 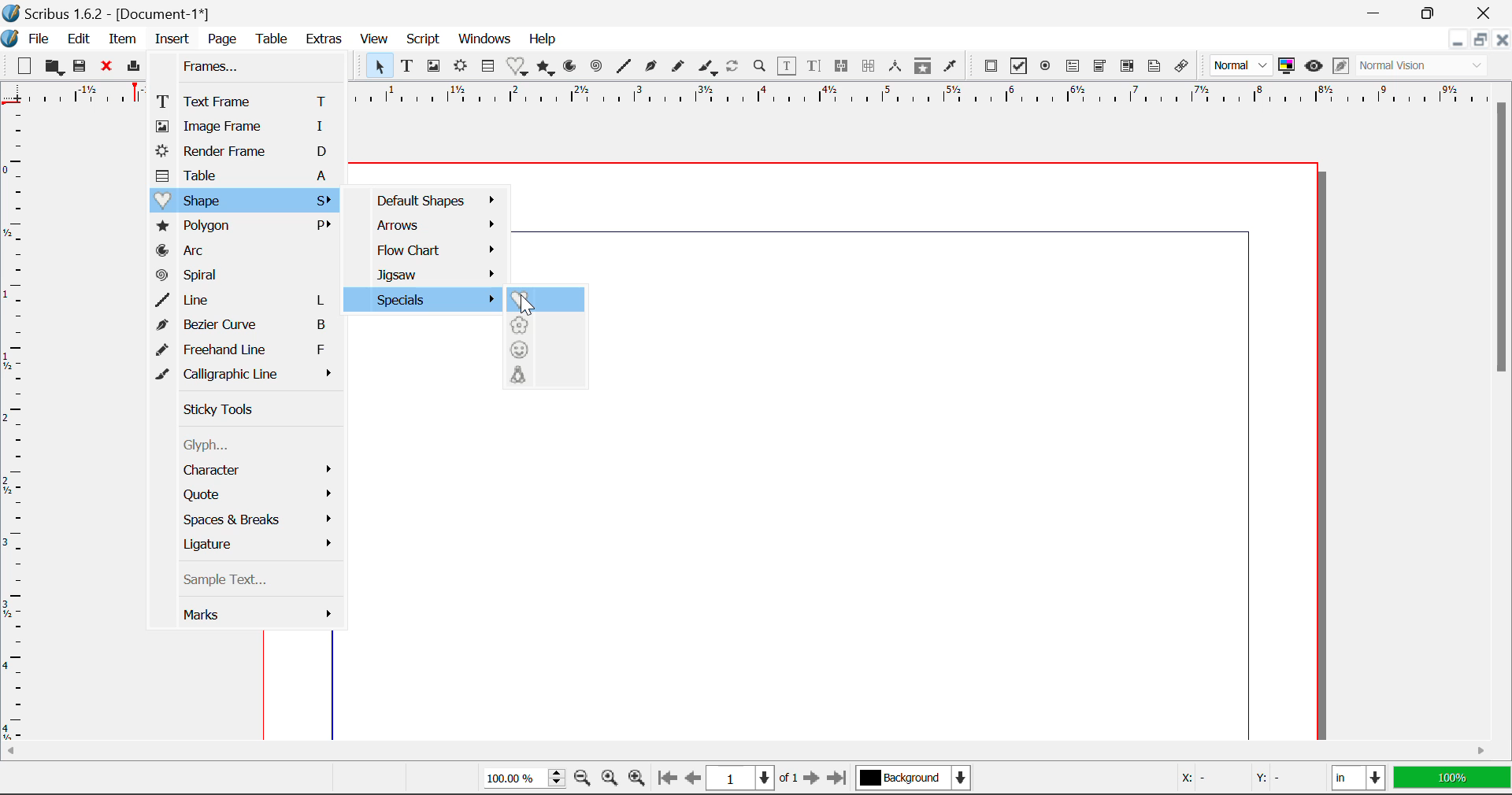 What do you see at coordinates (839, 778) in the screenshot?
I see `Last Page` at bounding box center [839, 778].